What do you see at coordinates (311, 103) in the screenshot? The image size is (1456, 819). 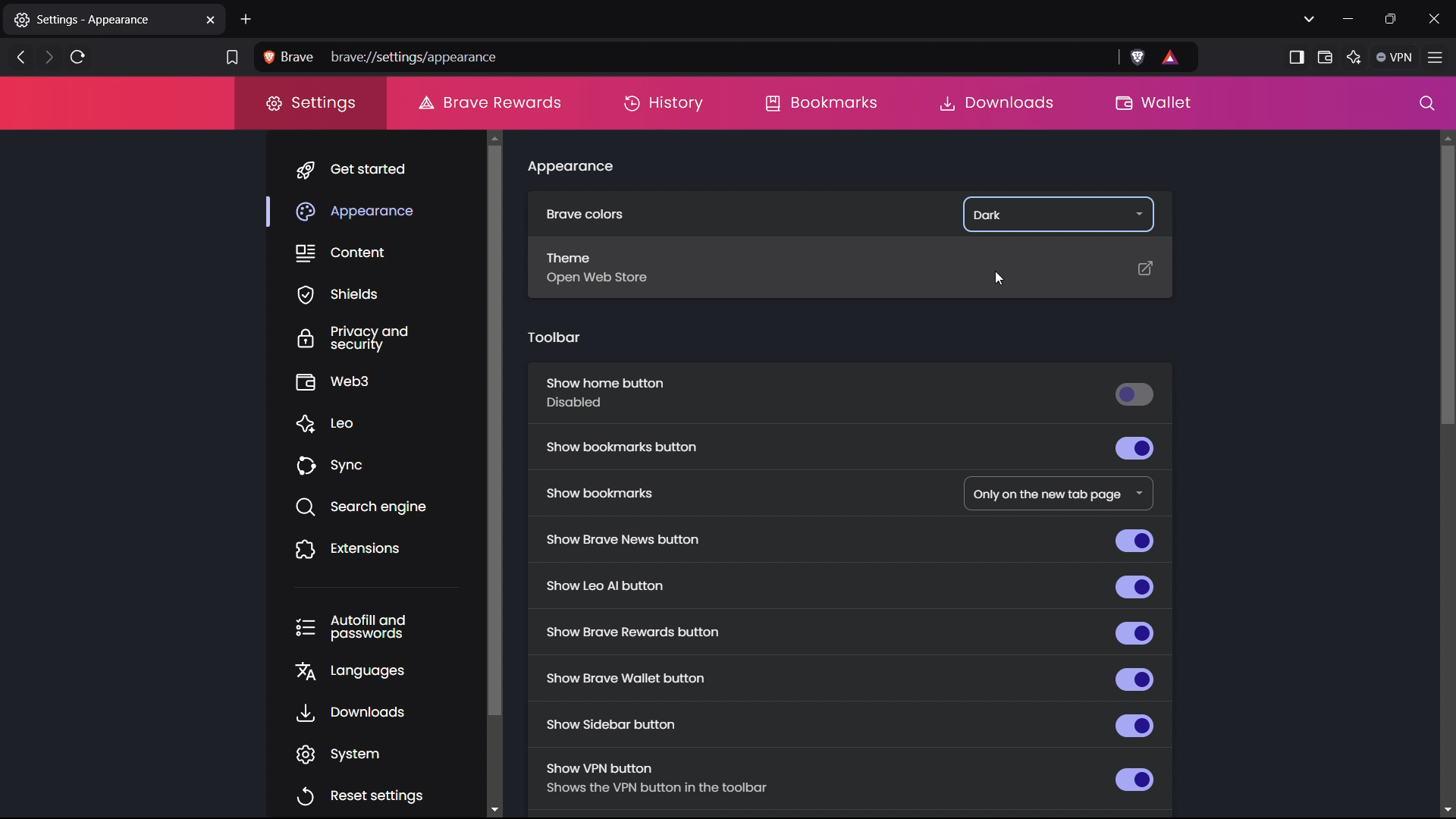 I see `settings` at bounding box center [311, 103].